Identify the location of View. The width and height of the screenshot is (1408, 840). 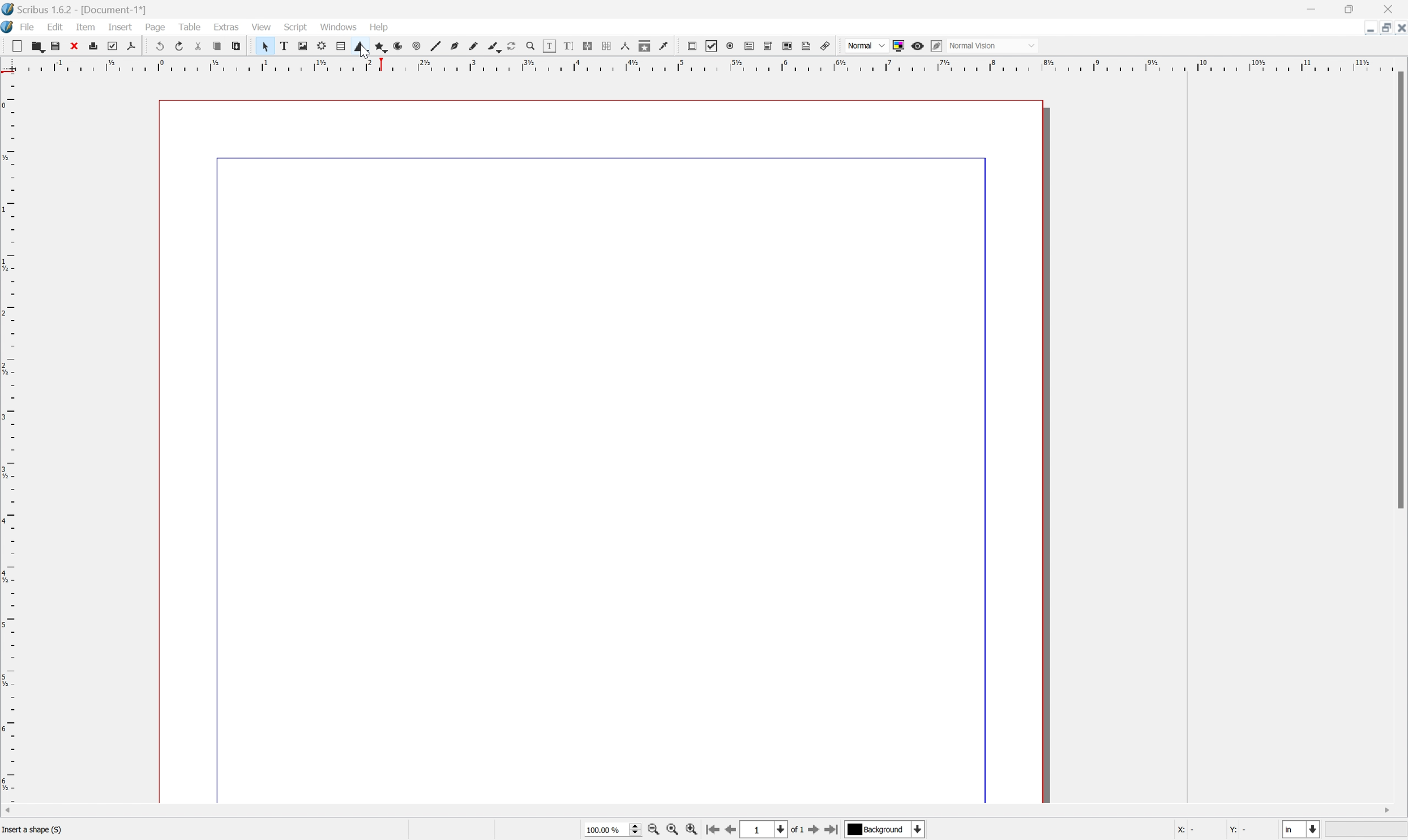
(263, 27).